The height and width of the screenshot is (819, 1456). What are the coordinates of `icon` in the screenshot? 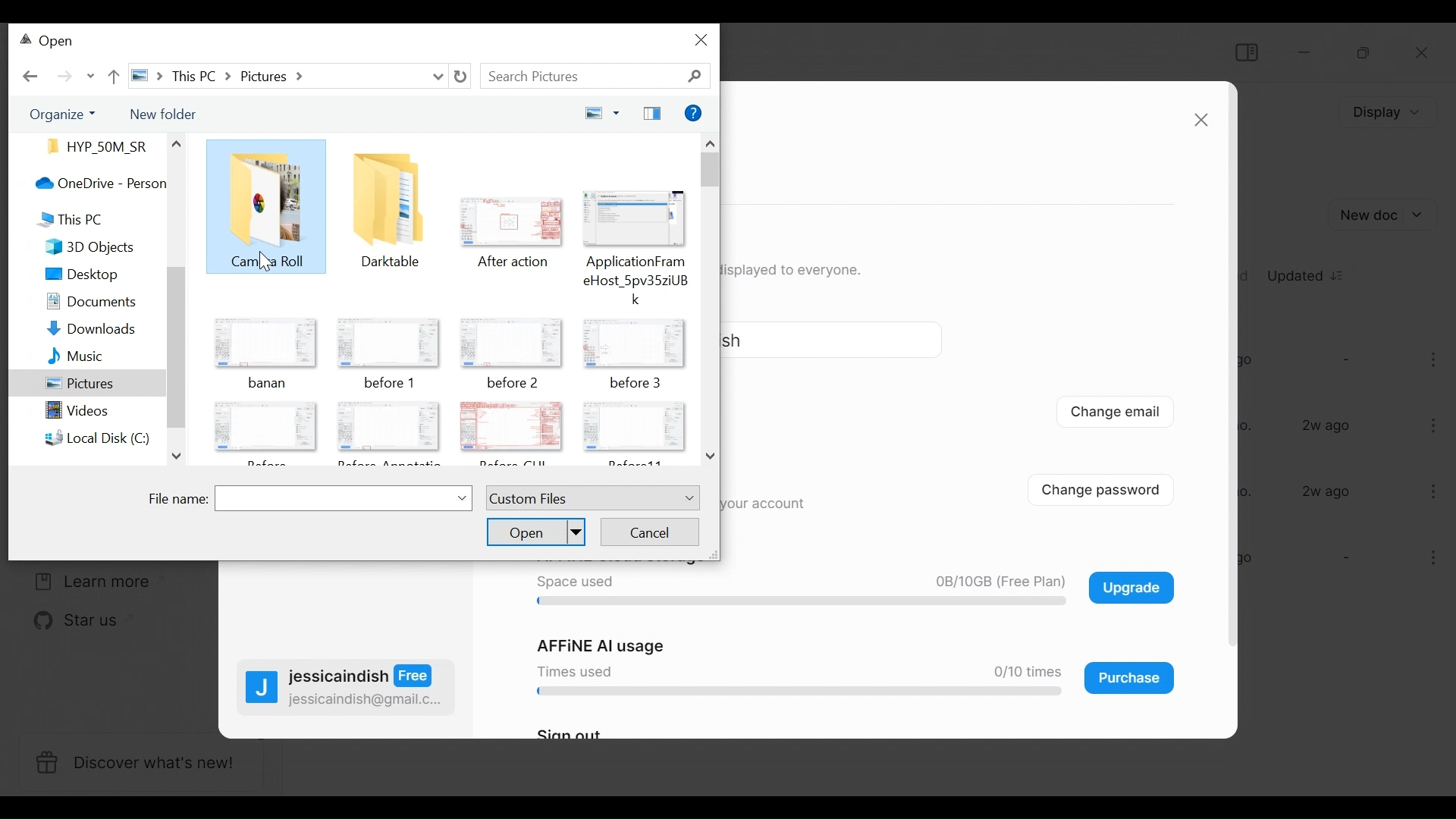 It's located at (391, 426).